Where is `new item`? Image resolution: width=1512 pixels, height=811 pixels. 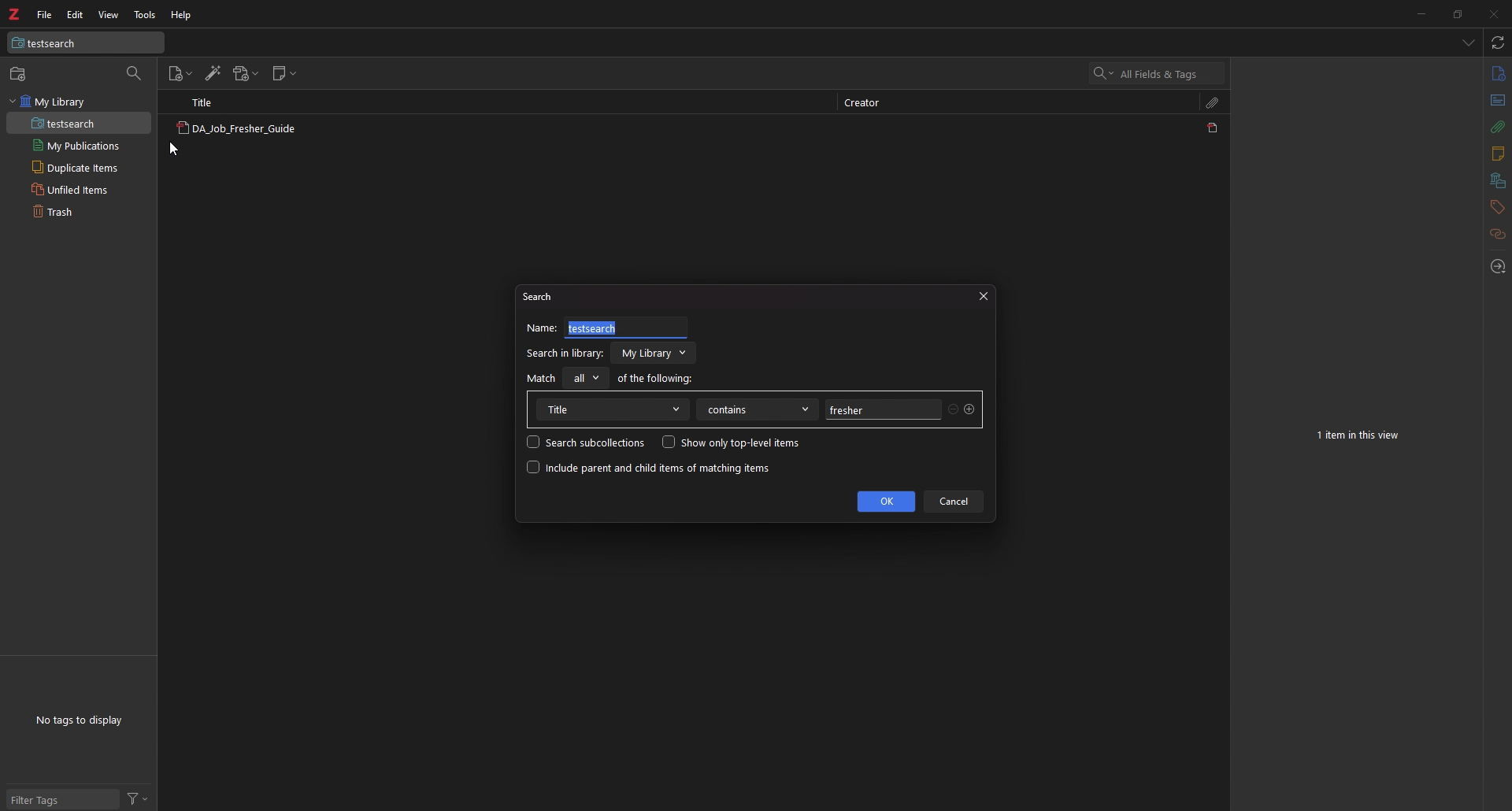
new item is located at coordinates (20, 73).